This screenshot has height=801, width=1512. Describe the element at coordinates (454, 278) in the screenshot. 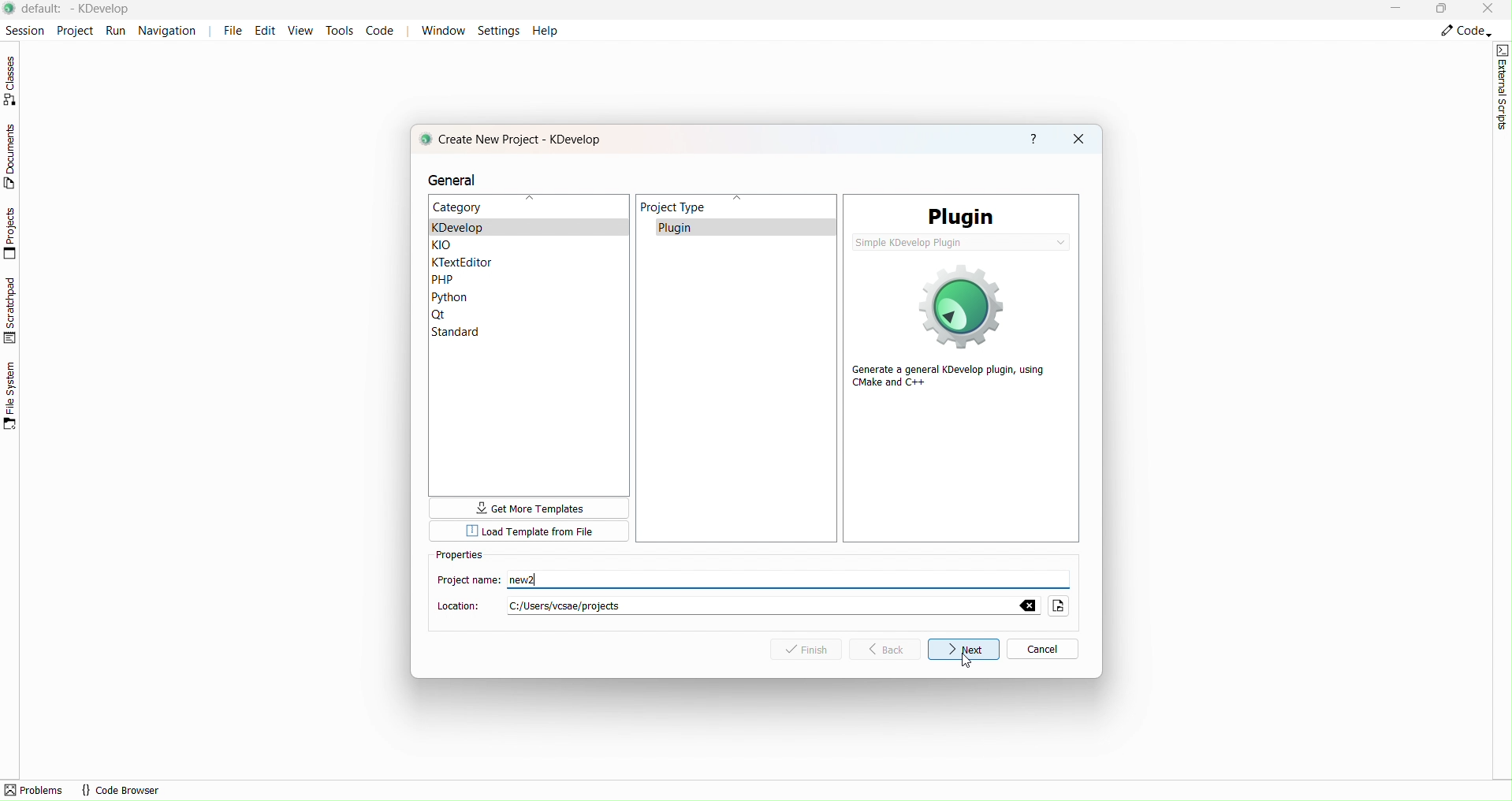

I see `PHP` at that location.